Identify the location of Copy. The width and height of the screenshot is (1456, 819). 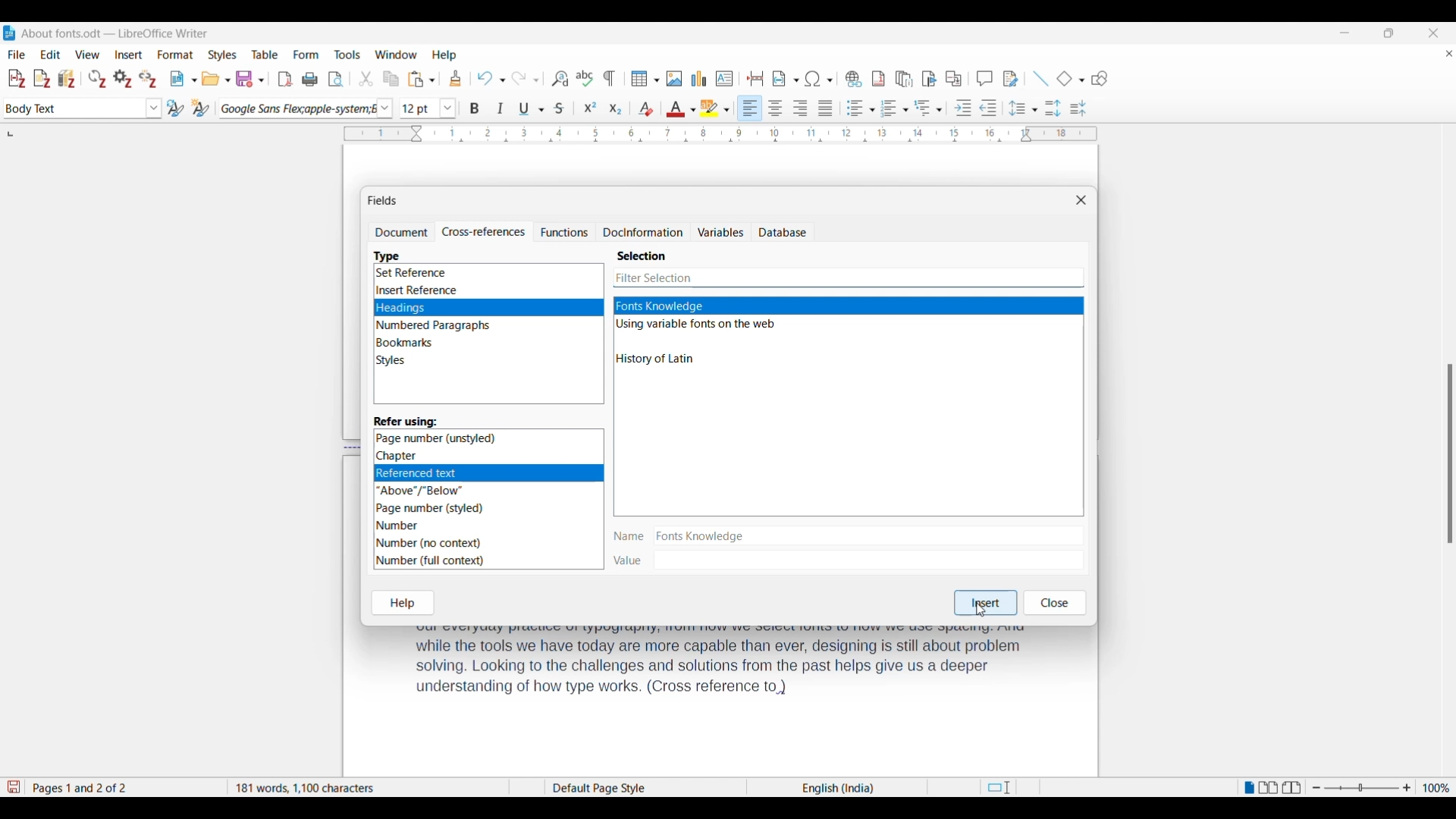
(391, 80).